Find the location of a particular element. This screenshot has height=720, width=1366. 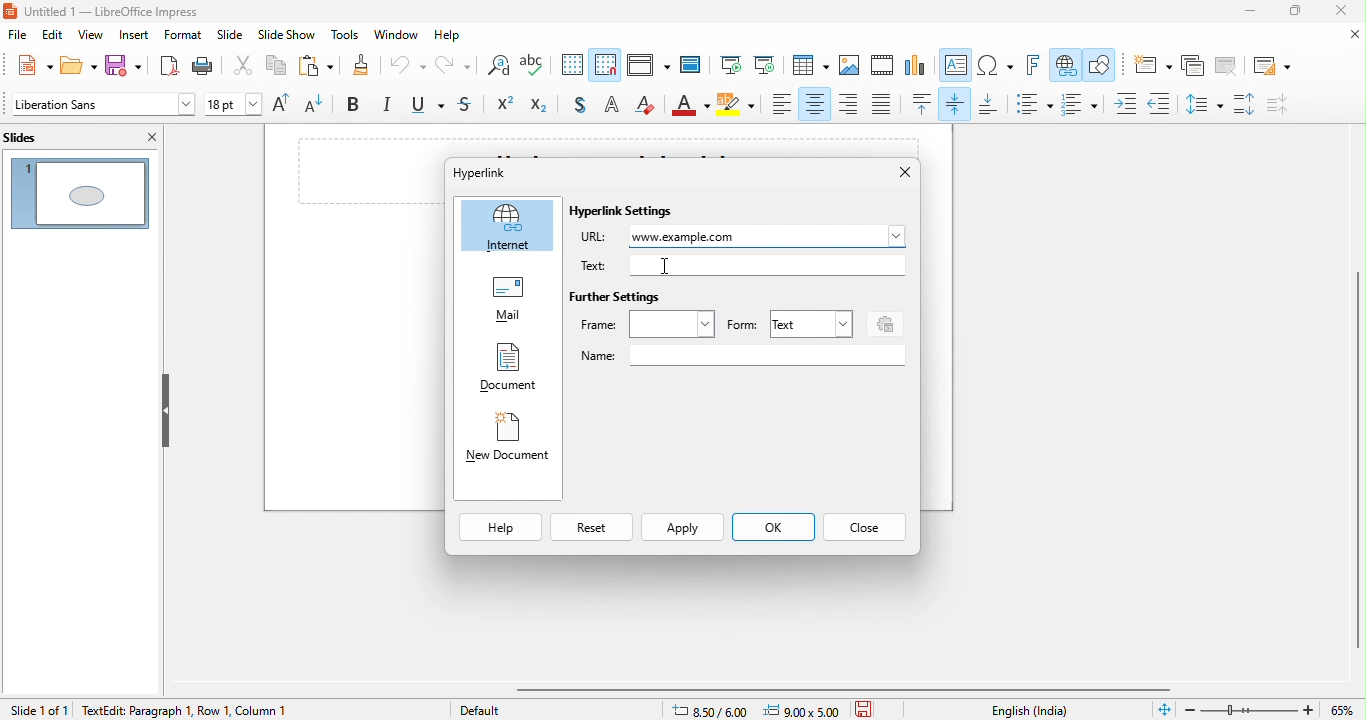

align vertically is located at coordinates (957, 103).